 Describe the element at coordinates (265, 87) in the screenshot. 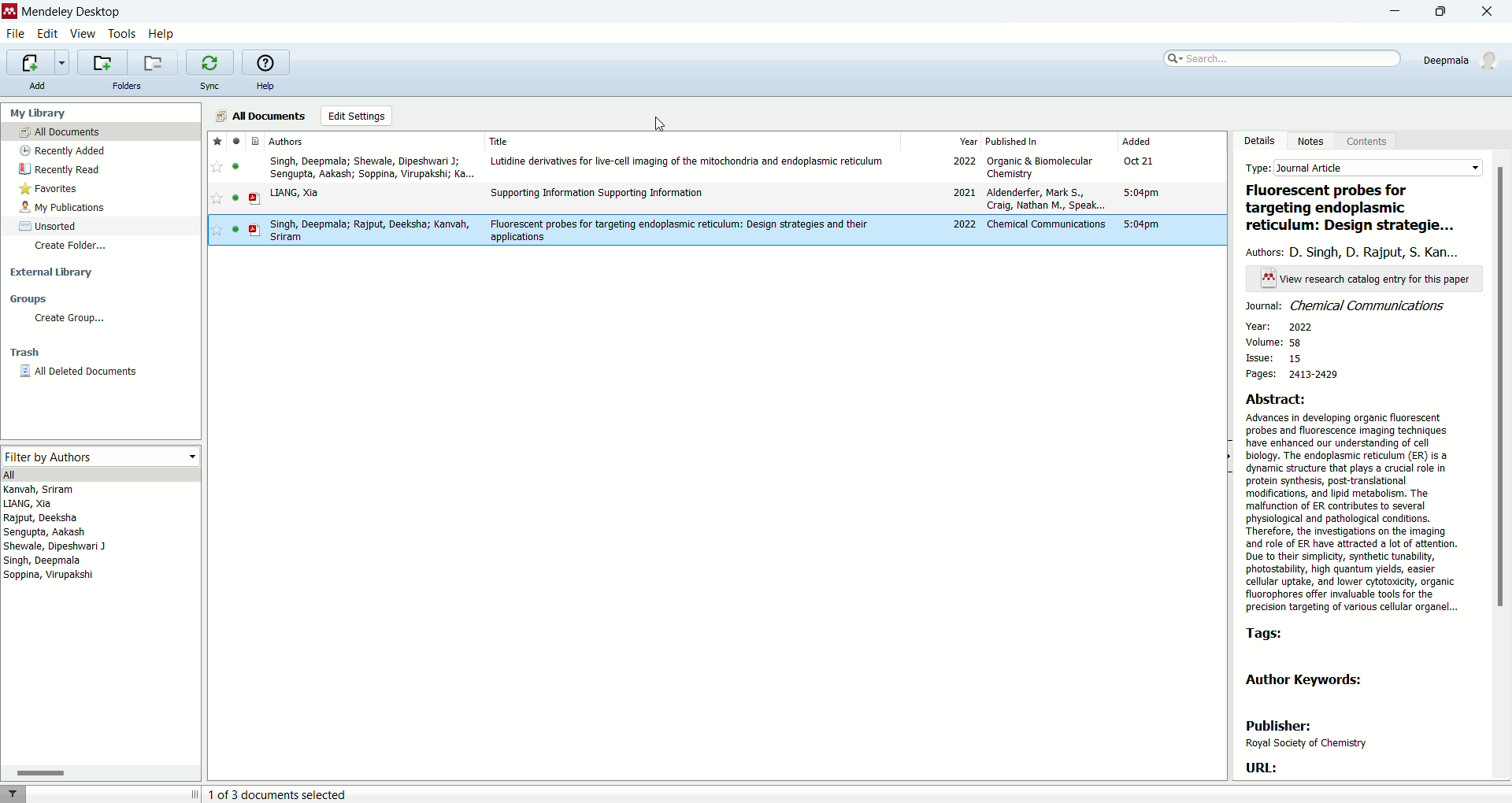

I see `help` at that location.